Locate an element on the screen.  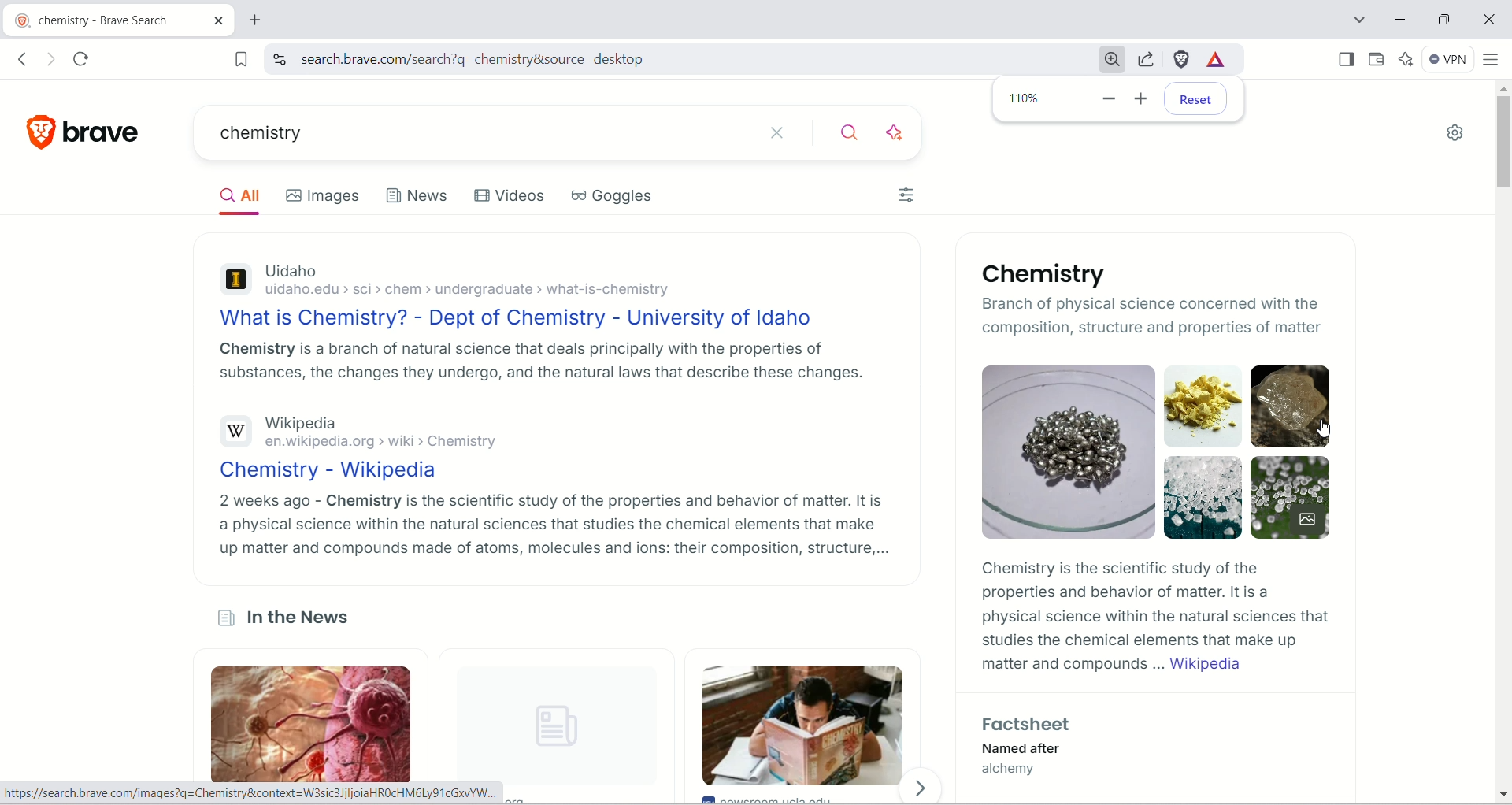
go back is located at coordinates (22, 59).